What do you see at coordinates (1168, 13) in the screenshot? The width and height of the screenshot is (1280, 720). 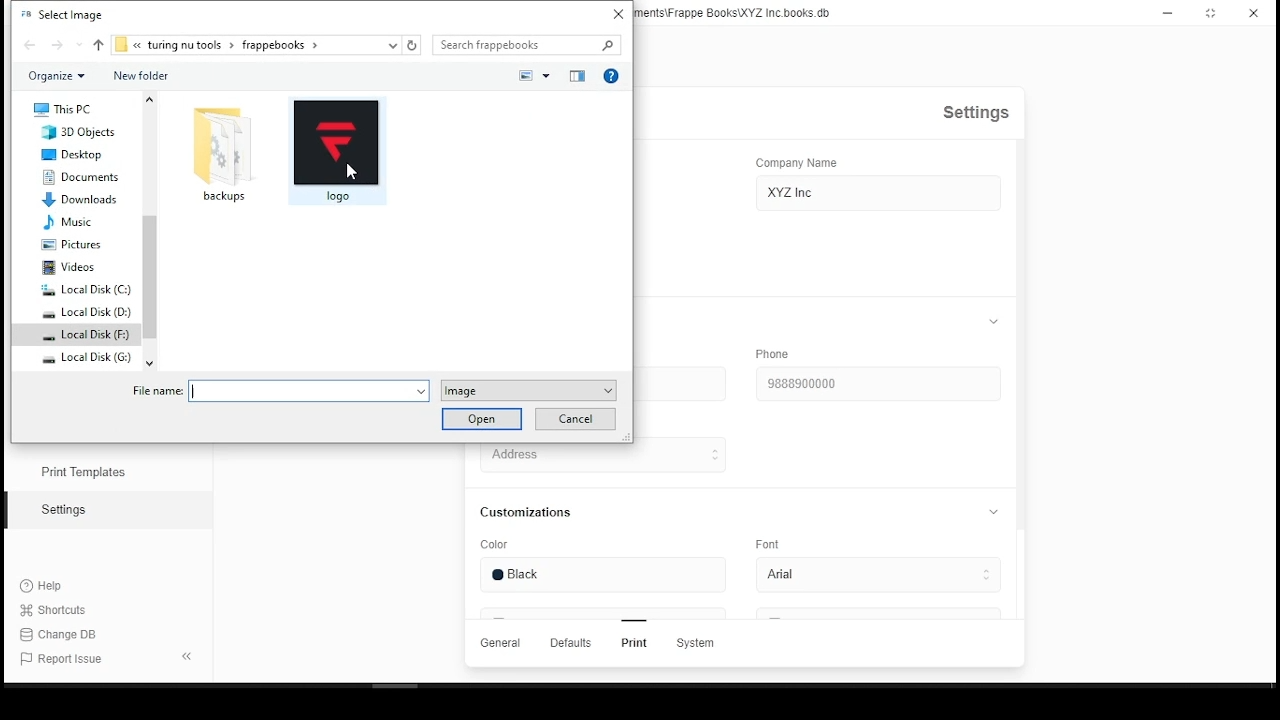 I see `minimize` at bounding box center [1168, 13].